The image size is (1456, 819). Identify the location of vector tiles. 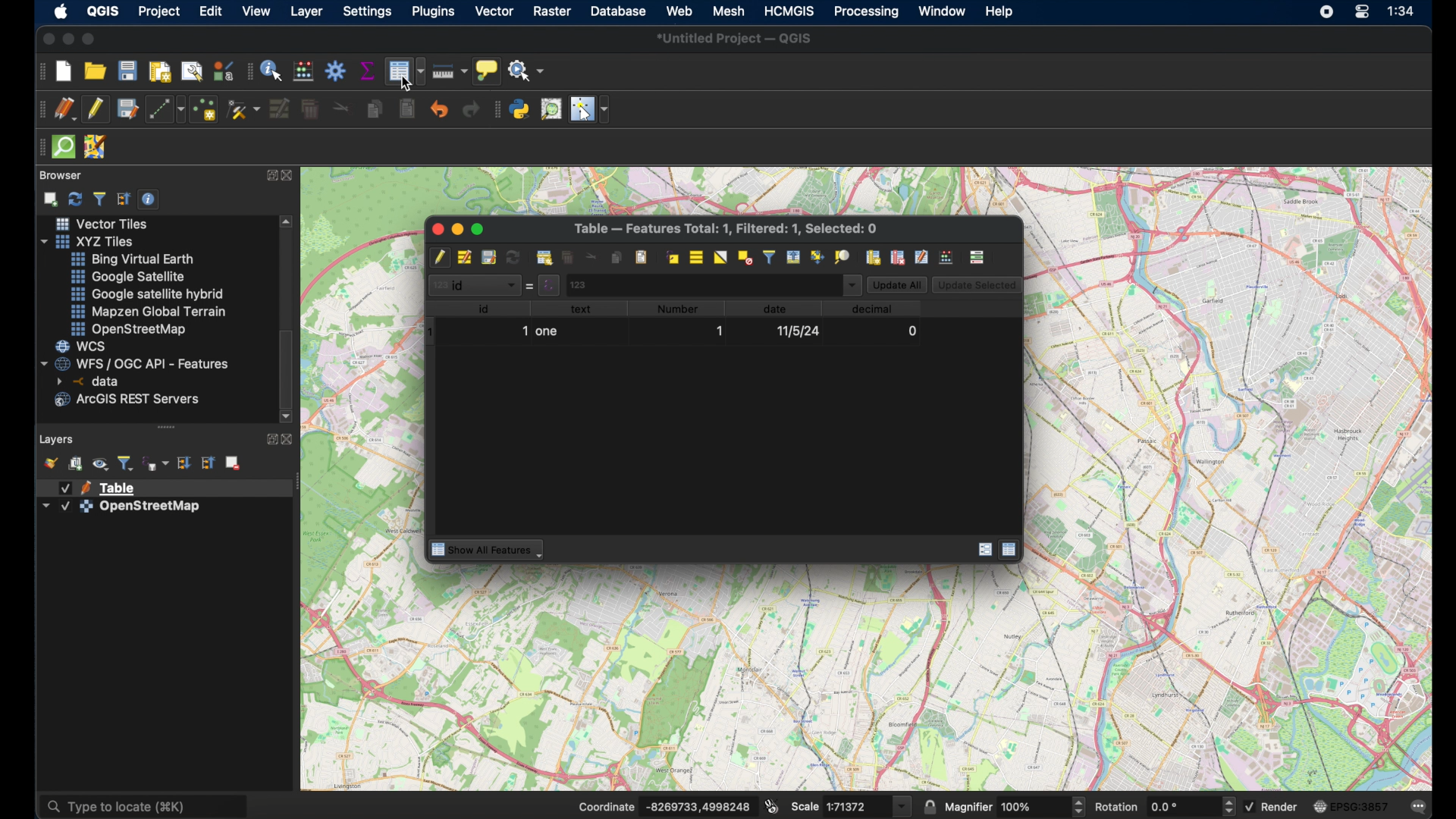
(103, 223).